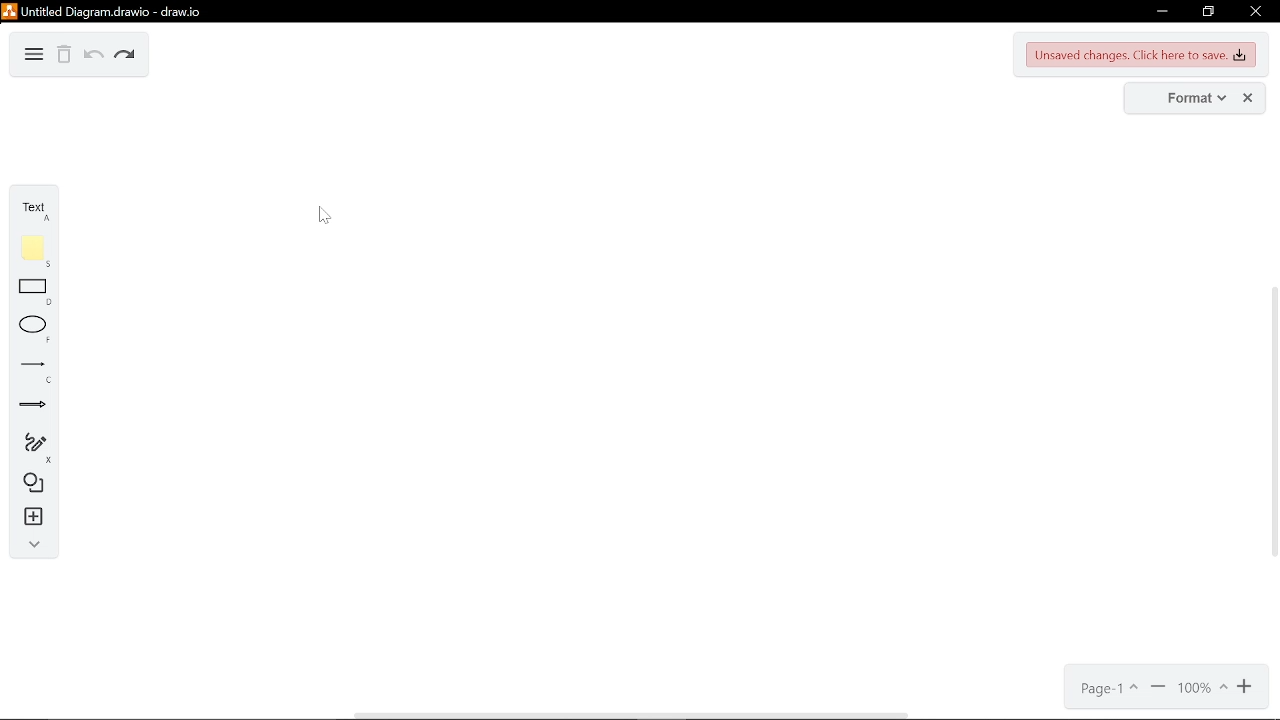  I want to click on rectangle, so click(36, 293).